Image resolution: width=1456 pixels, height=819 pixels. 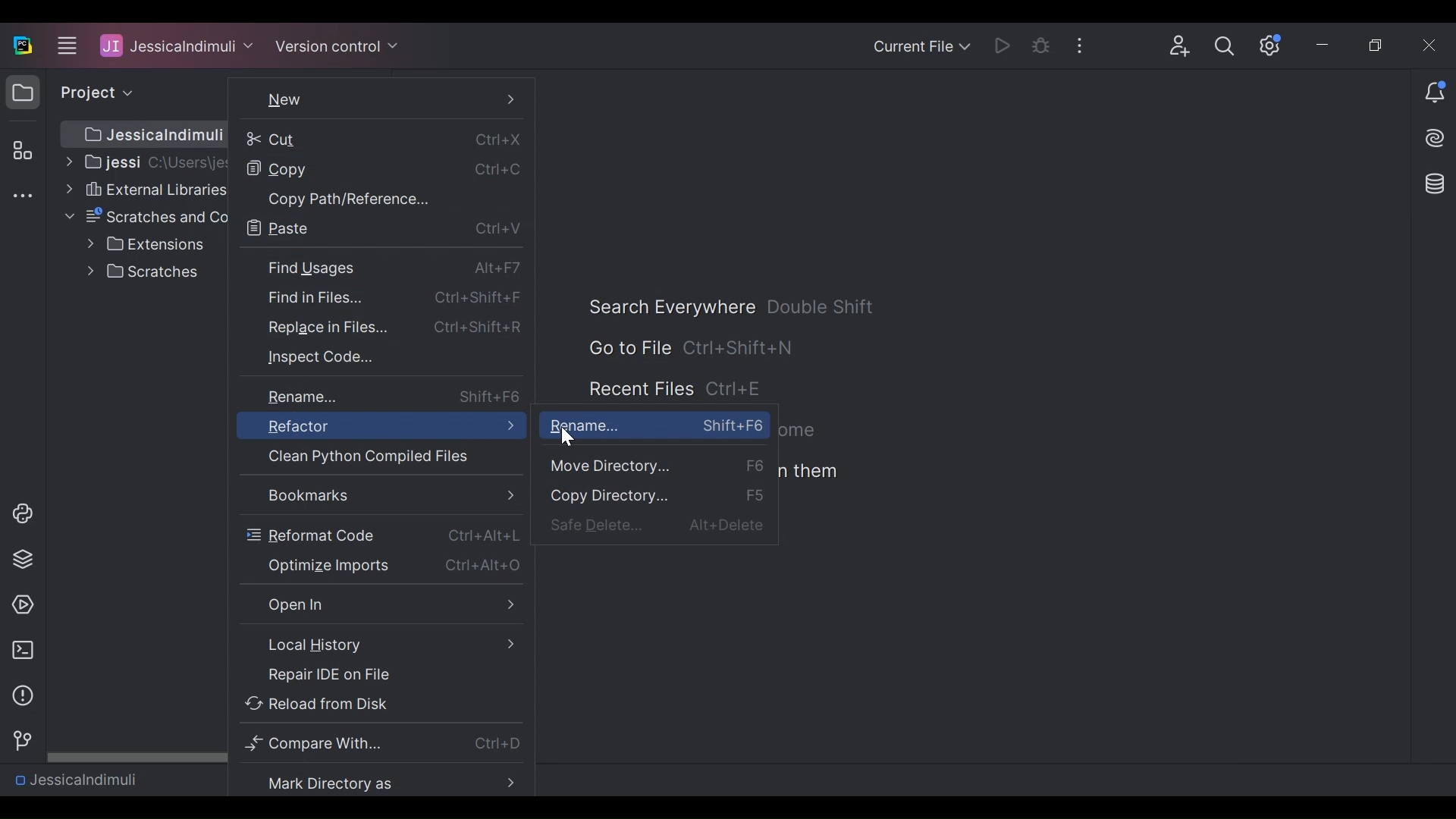 What do you see at coordinates (20, 152) in the screenshot?
I see `Structure` at bounding box center [20, 152].